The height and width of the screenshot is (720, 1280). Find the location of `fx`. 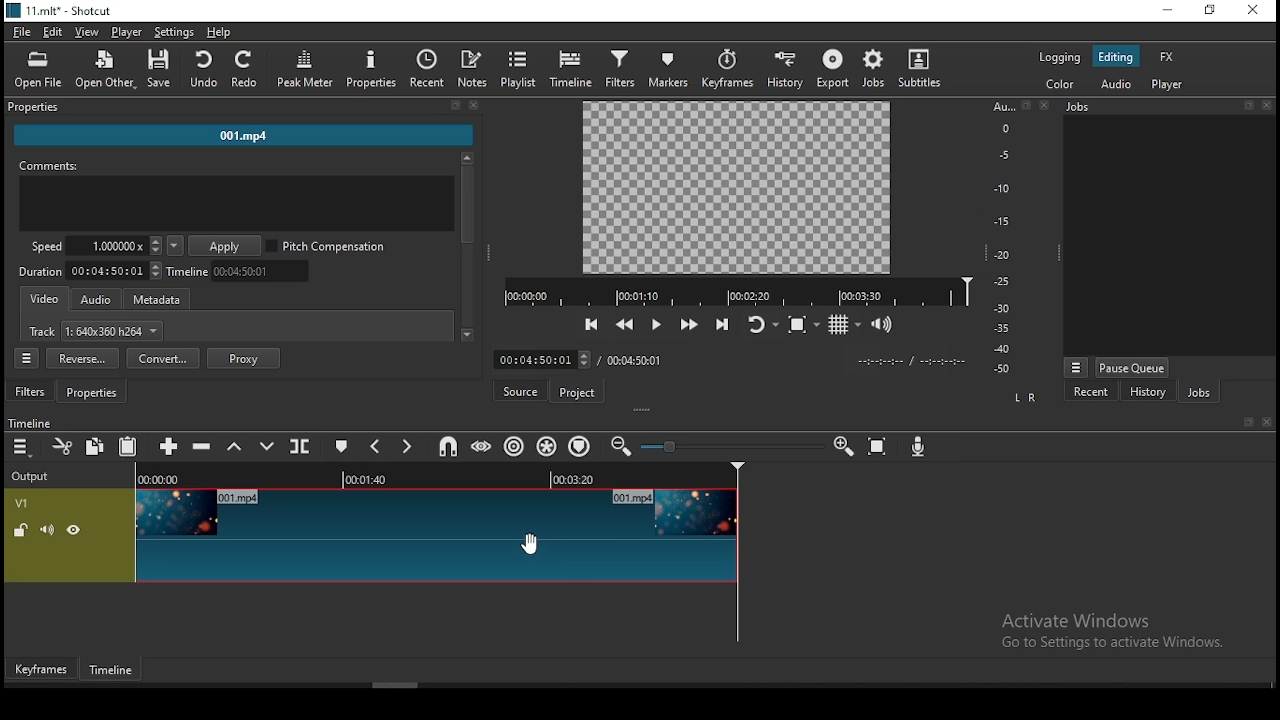

fx is located at coordinates (1167, 57).